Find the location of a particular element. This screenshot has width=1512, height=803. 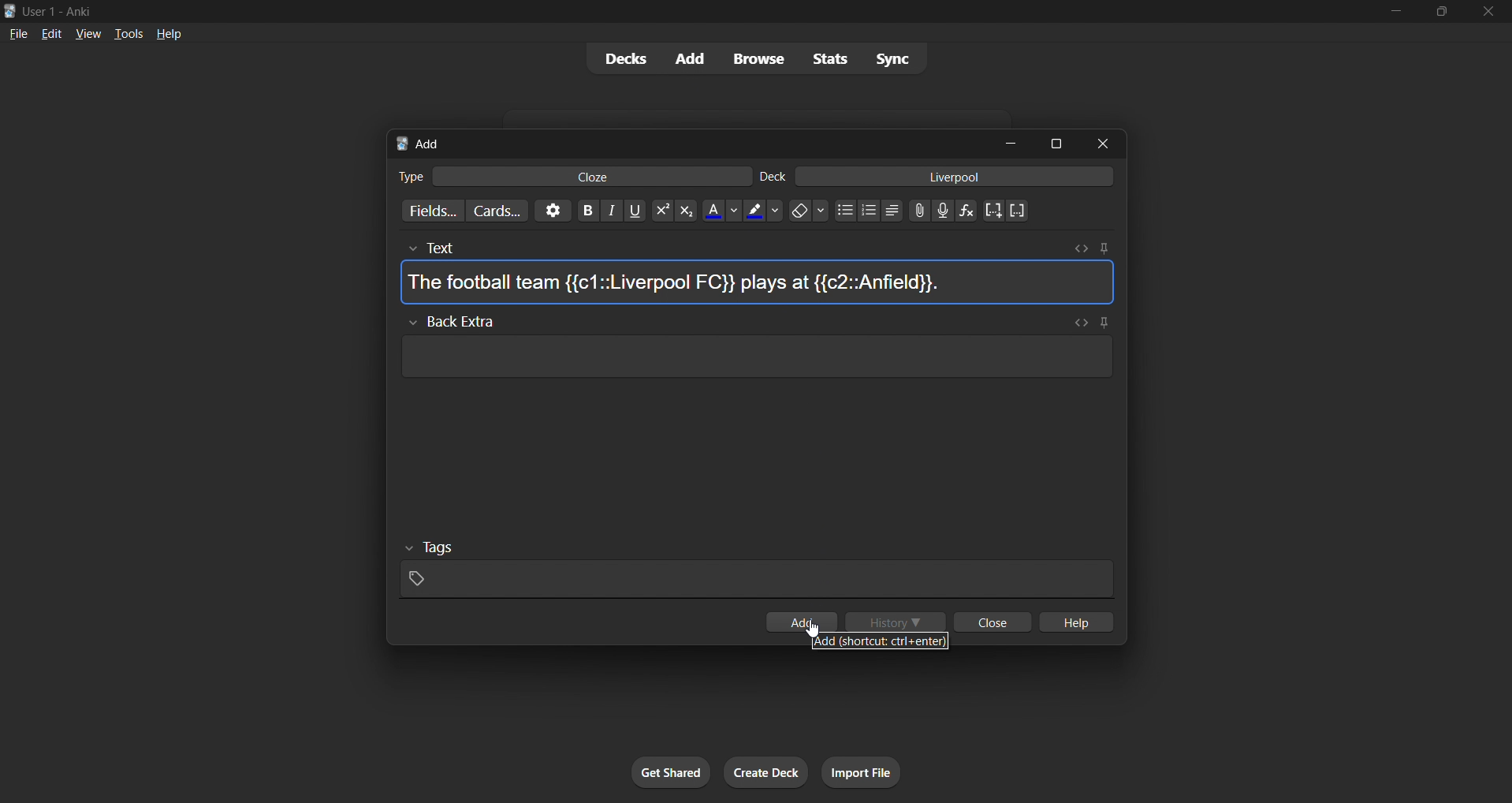

text color is located at coordinates (727, 213).